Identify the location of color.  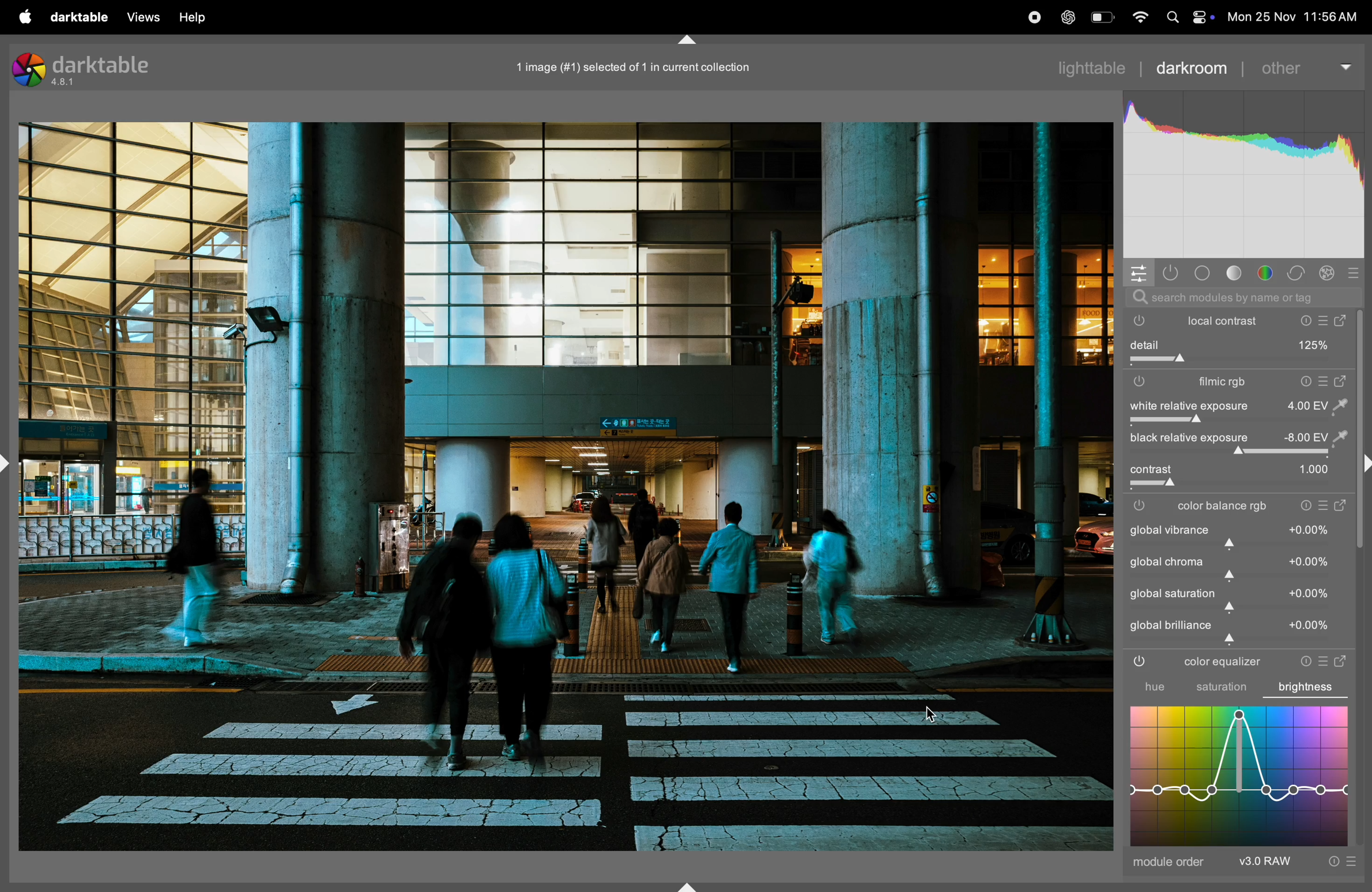
(1268, 273).